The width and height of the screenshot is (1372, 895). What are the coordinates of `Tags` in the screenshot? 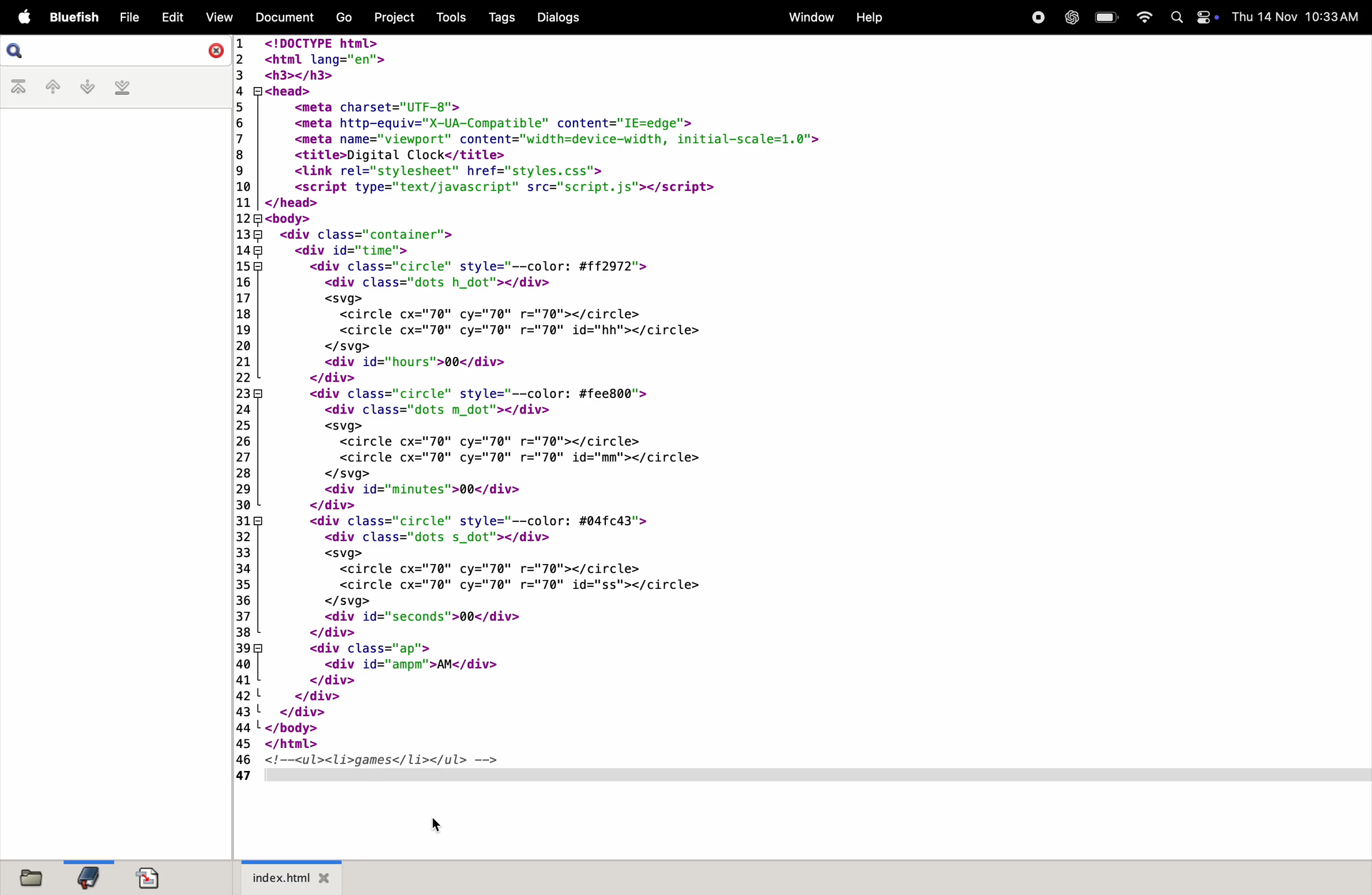 It's located at (499, 18).